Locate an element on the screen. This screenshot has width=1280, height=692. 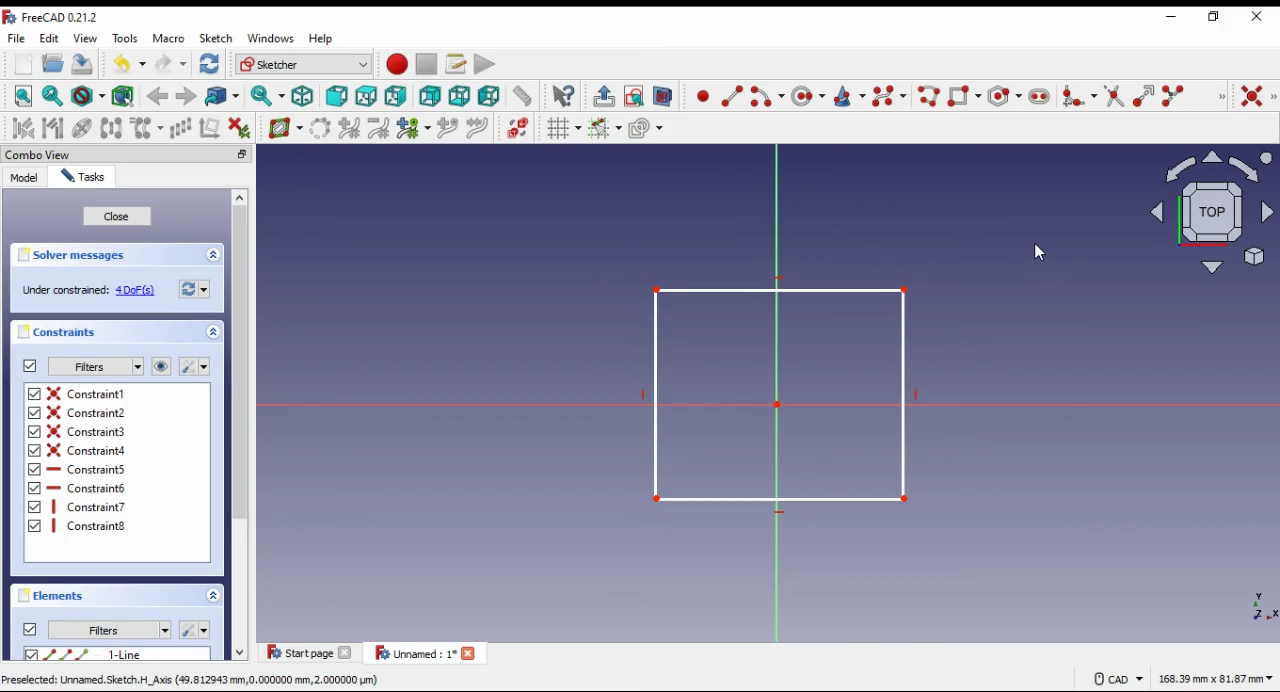
‘Under constrained: is located at coordinates (65, 291).